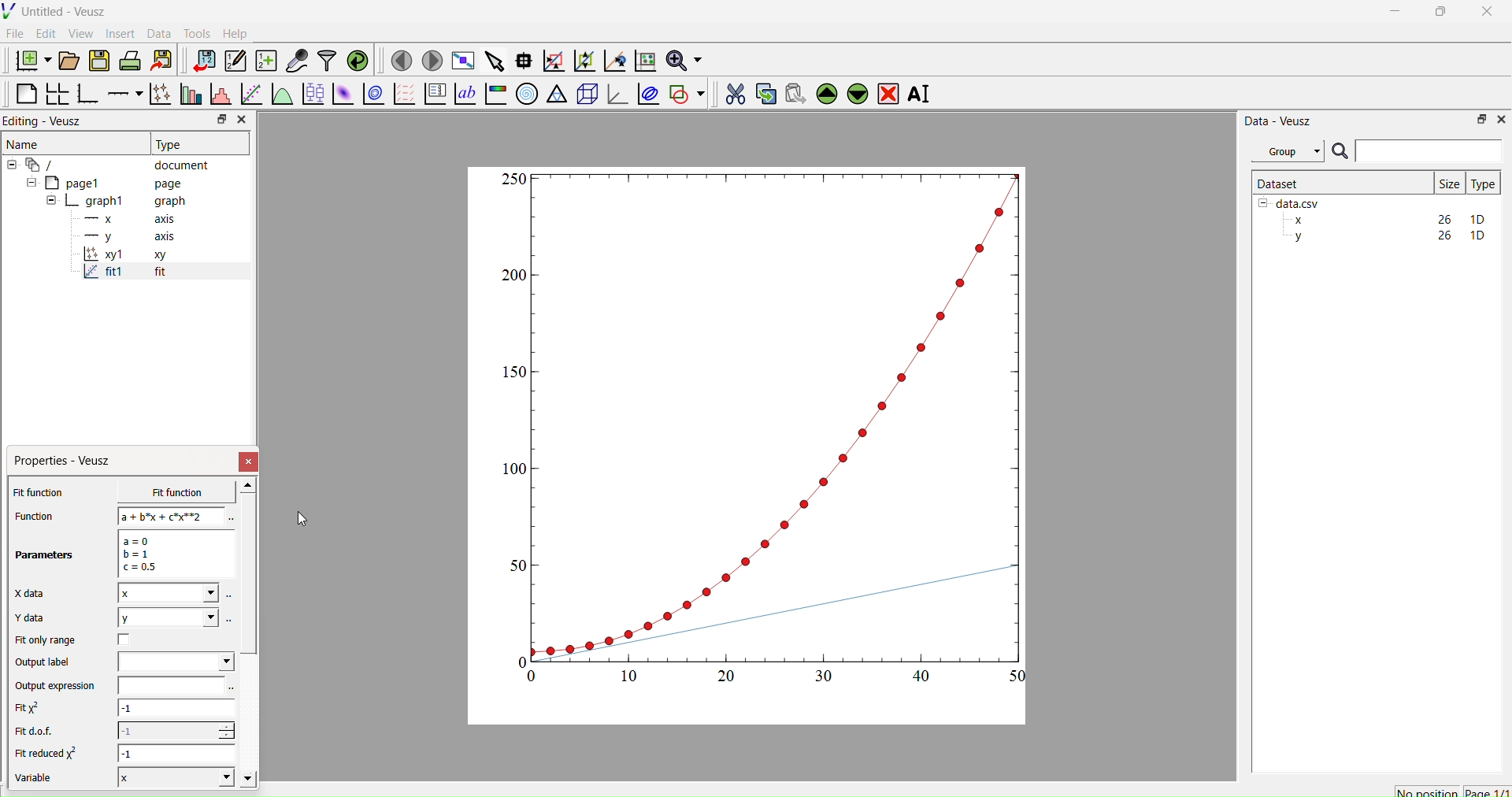  Describe the element at coordinates (342, 94) in the screenshot. I see `Plot a 2d dataset as image` at that location.